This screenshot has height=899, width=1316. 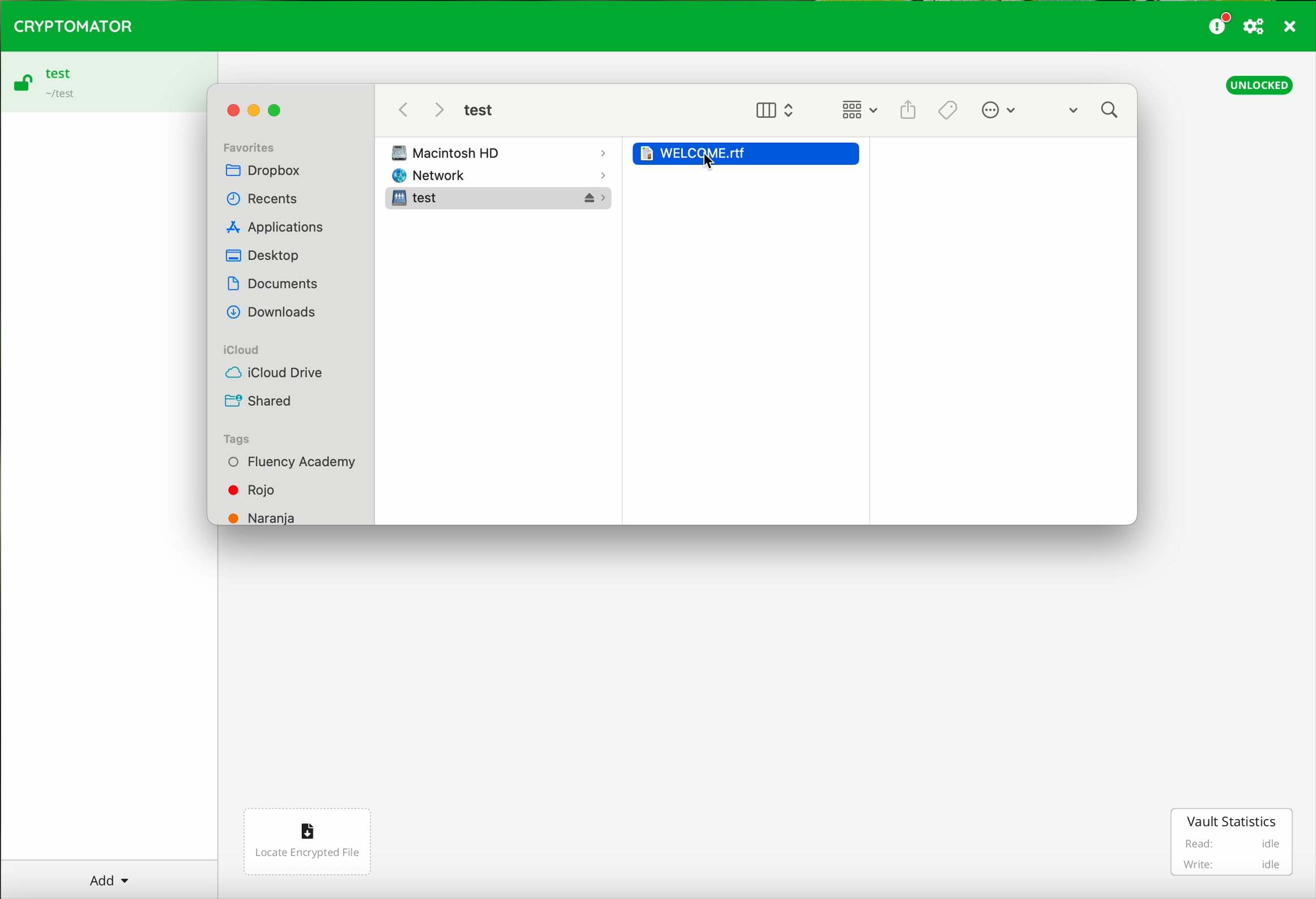 I want to click on Network, so click(x=506, y=176).